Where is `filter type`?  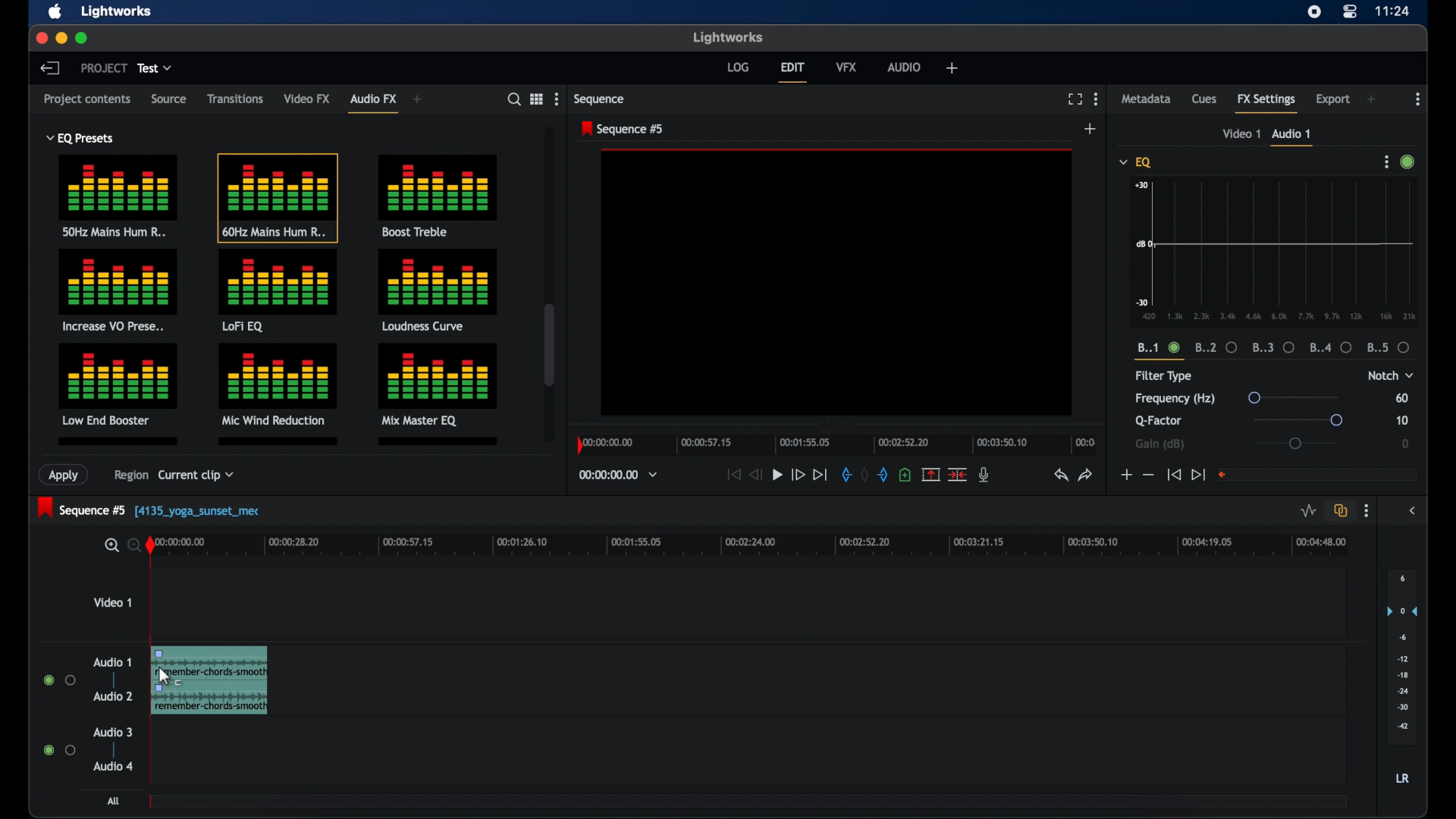
filter type is located at coordinates (1165, 377).